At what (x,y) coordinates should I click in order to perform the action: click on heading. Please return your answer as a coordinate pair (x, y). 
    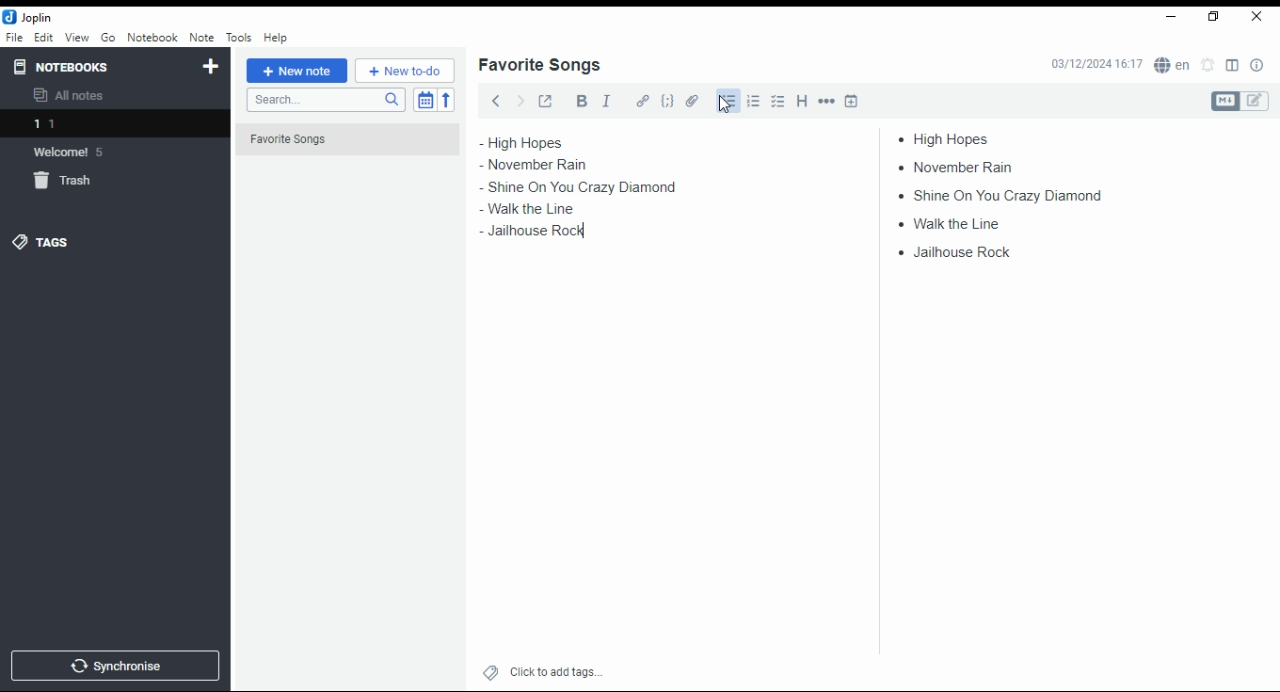
    Looking at the image, I should click on (803, 99).